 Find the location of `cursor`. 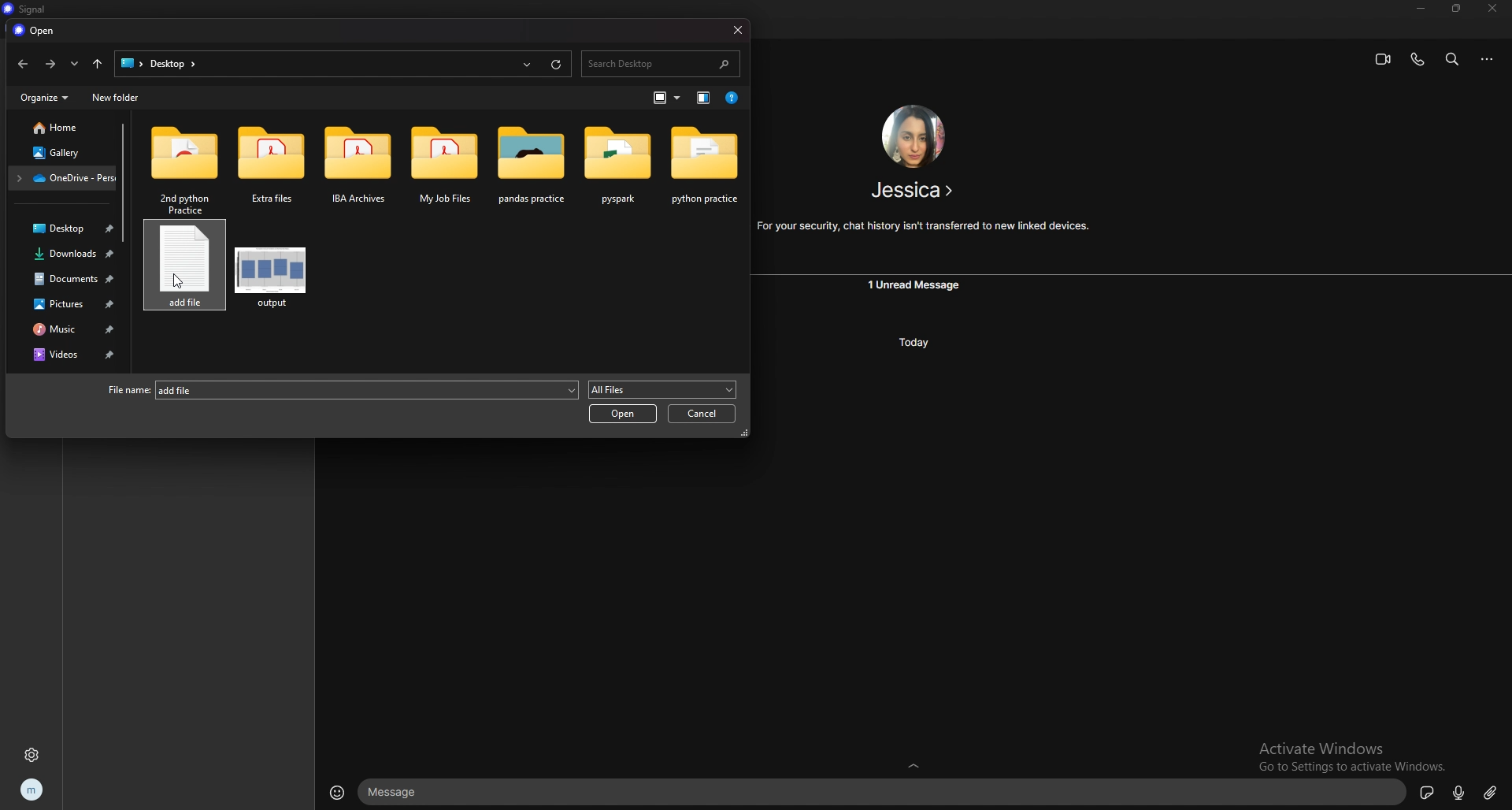

cursor is located at coordinates (180, 280).